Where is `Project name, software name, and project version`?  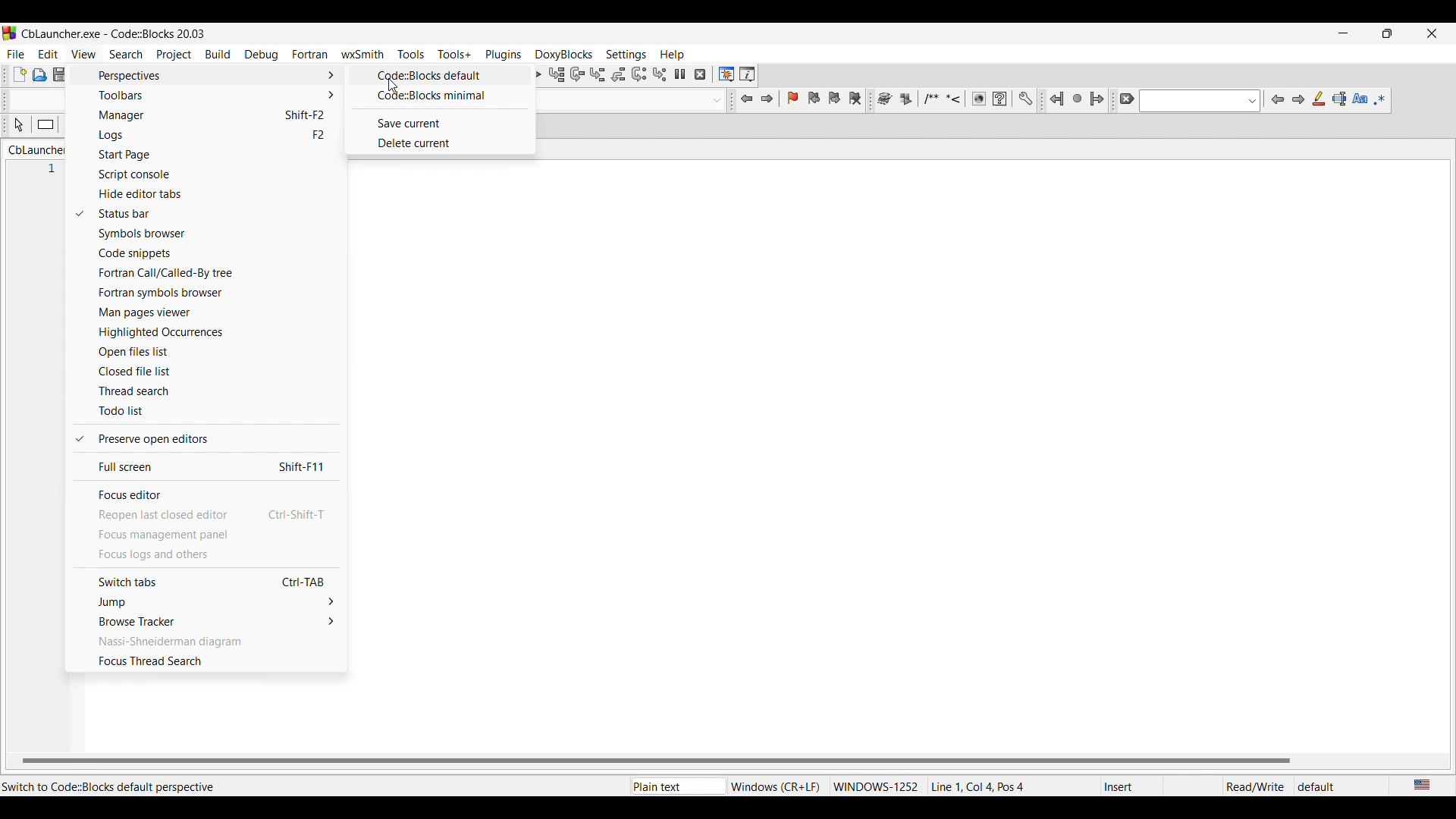 Project name, software name, and project version is located at coordinates (113, 34).